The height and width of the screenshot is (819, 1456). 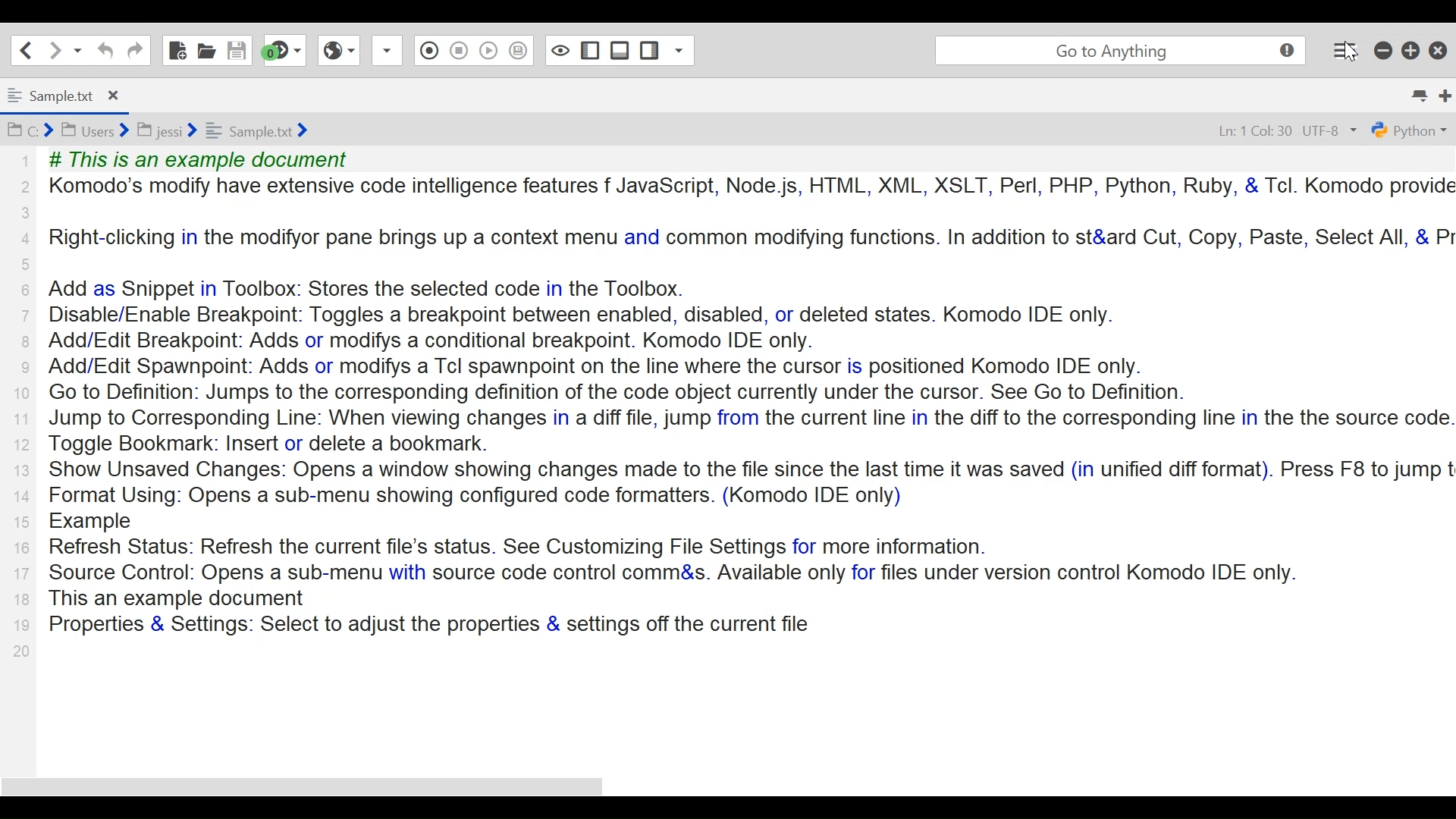 I want to click on Redo, so click(x=134, y=50).